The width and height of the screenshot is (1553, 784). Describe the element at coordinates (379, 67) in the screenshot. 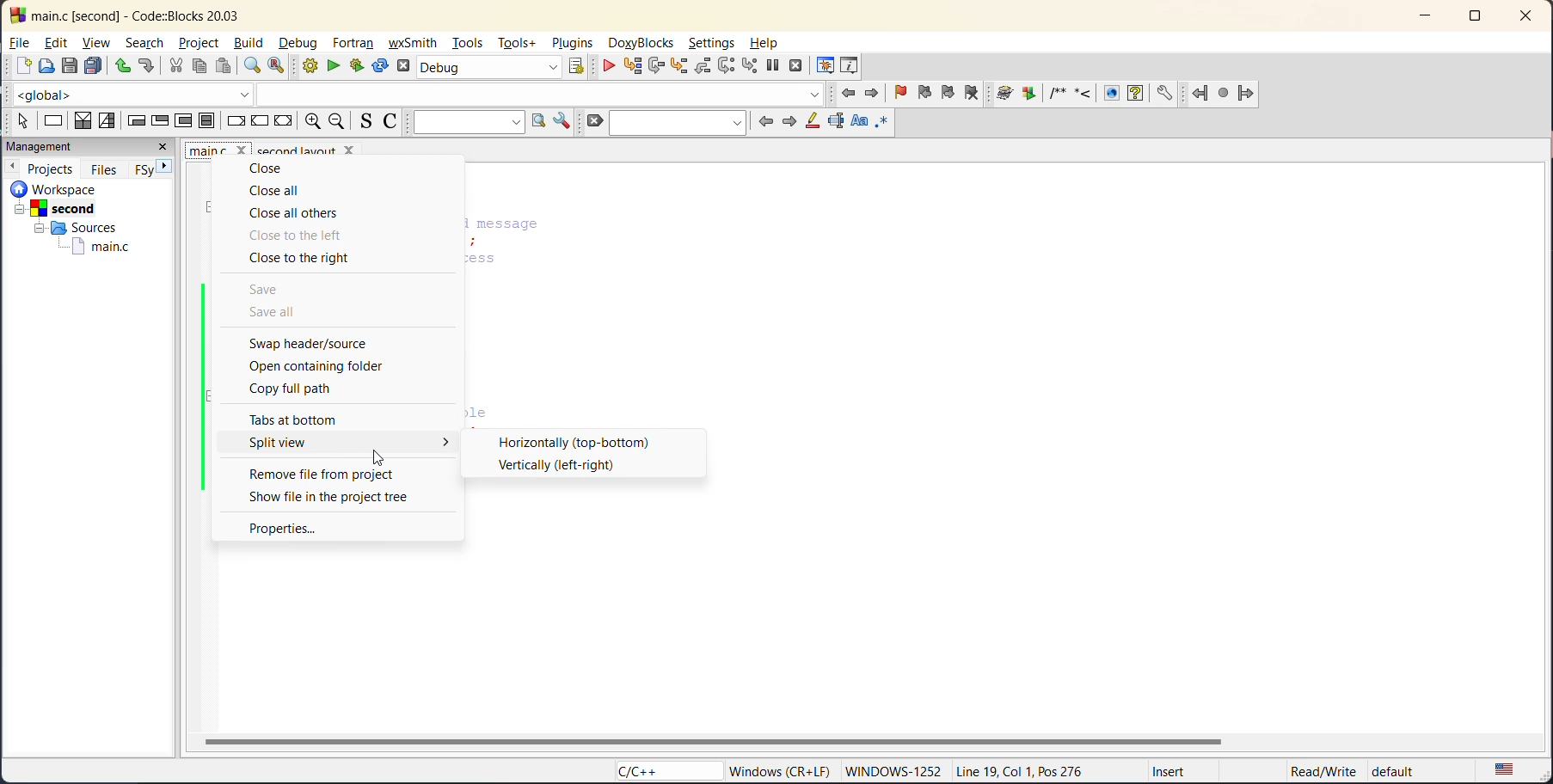

I see `rebuild` at that location.